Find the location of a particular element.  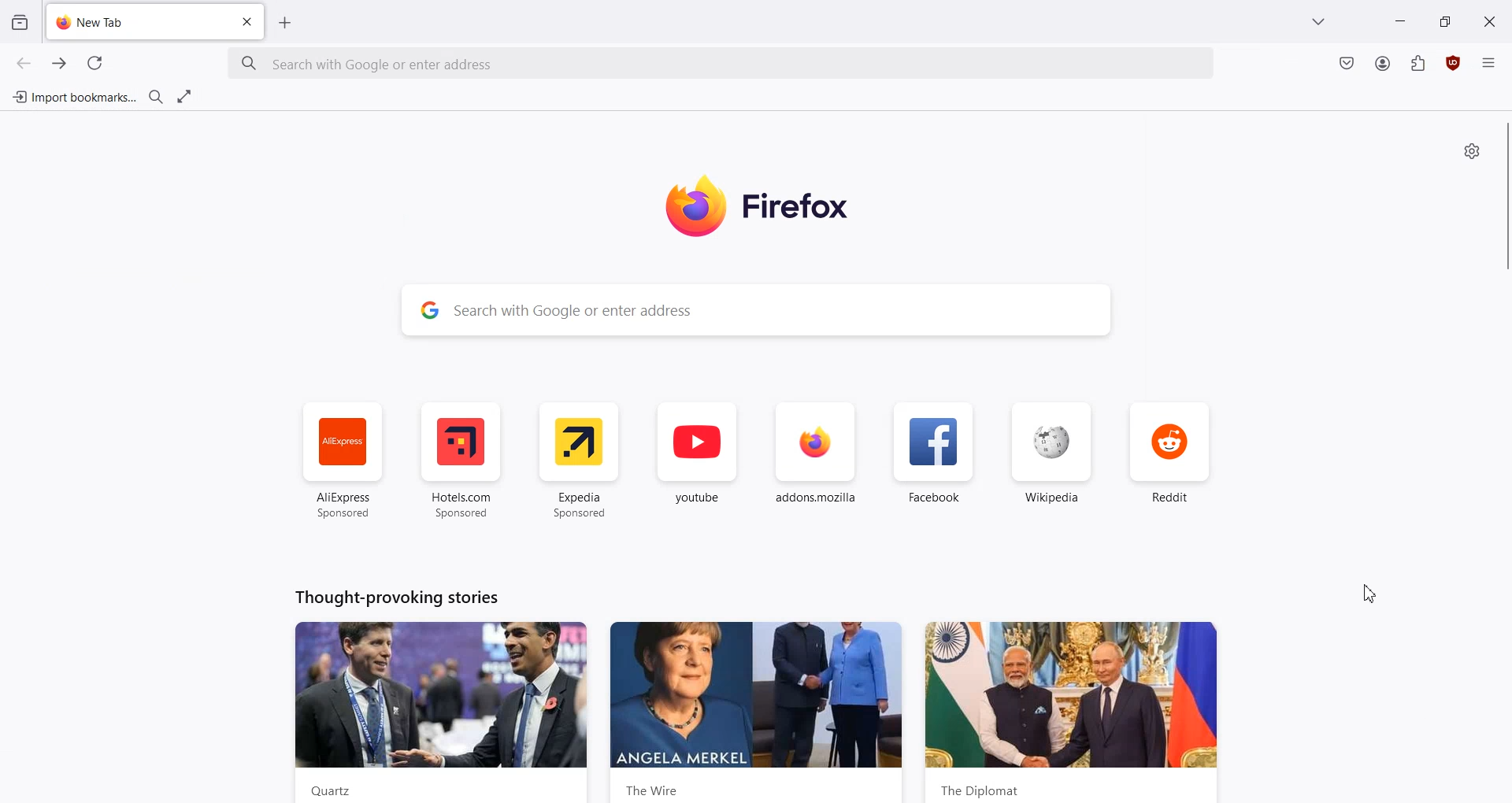

youtube is located at coordinates (697, 461).